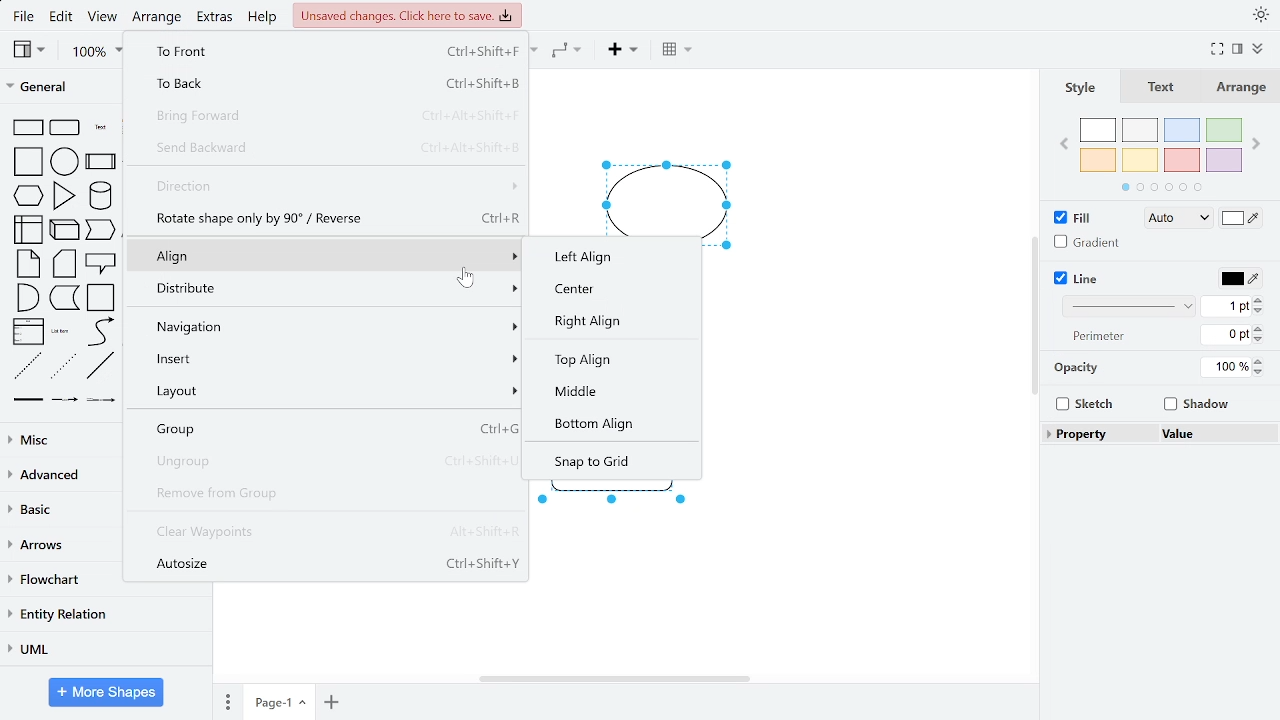 This screenshot has height=720, width=1280. I want to click on dotted line, so click(64, 367).